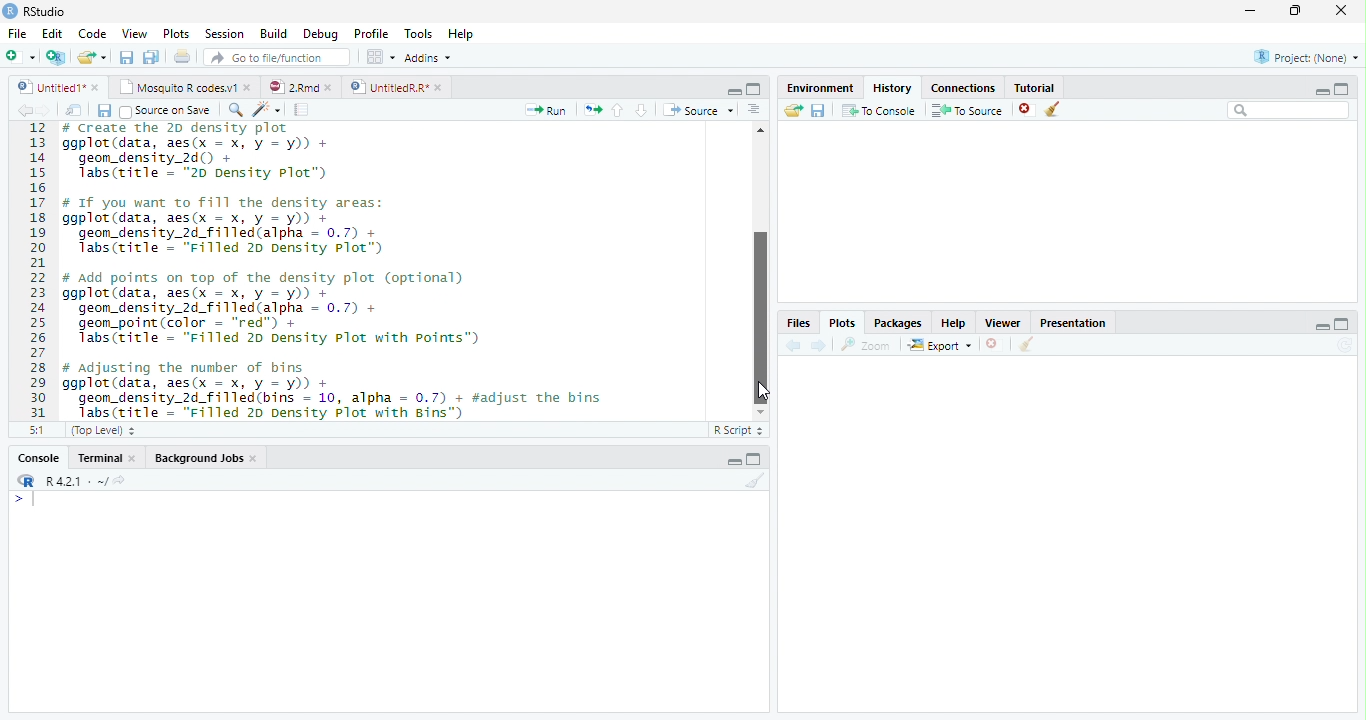 This screenshot has width=1366, height=720. Describe the element at coordinates (1344, 323) in the screenshot. I see `maximize` at that location.